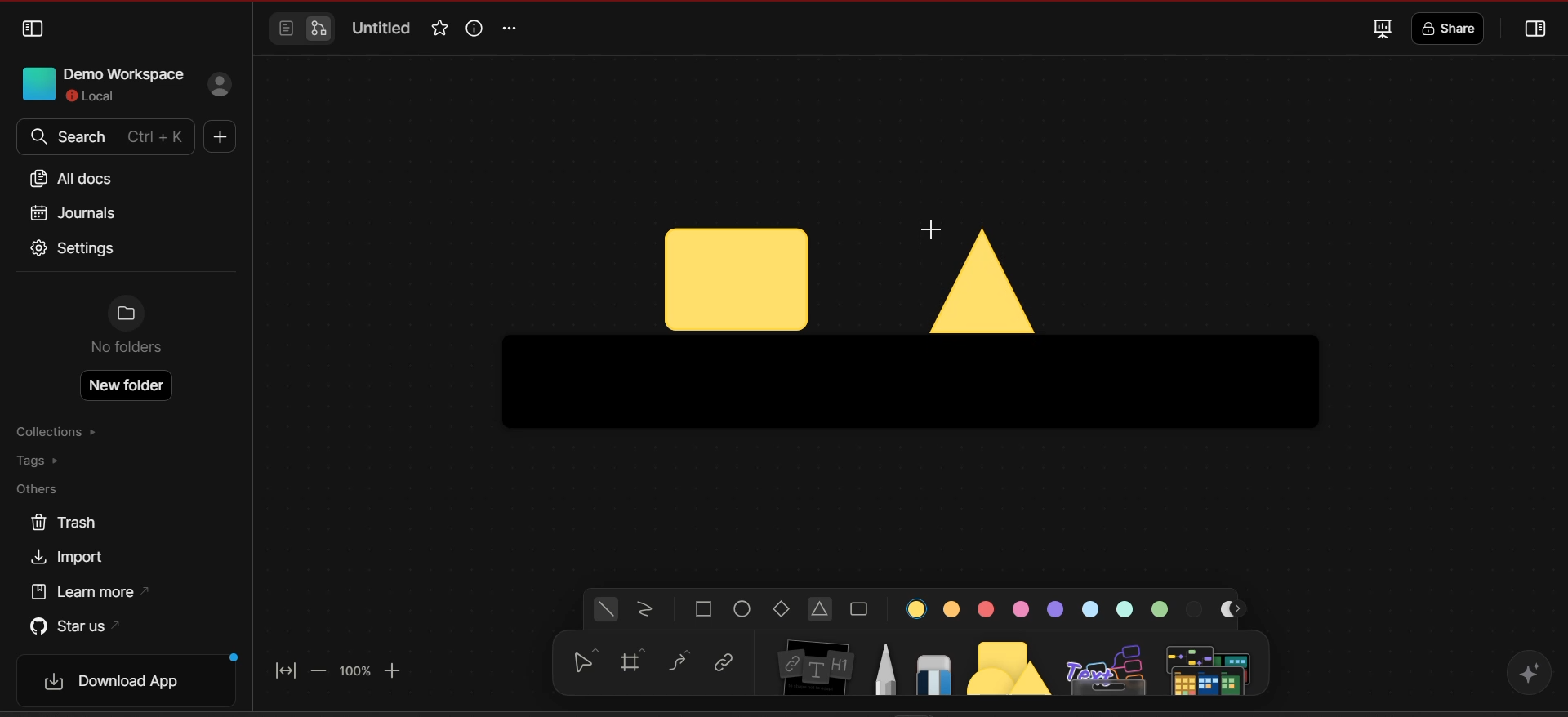 The image size is (1568, 717). Describe the element at coordinates (74, 250) in the screenshot. I see `settings` at that location.